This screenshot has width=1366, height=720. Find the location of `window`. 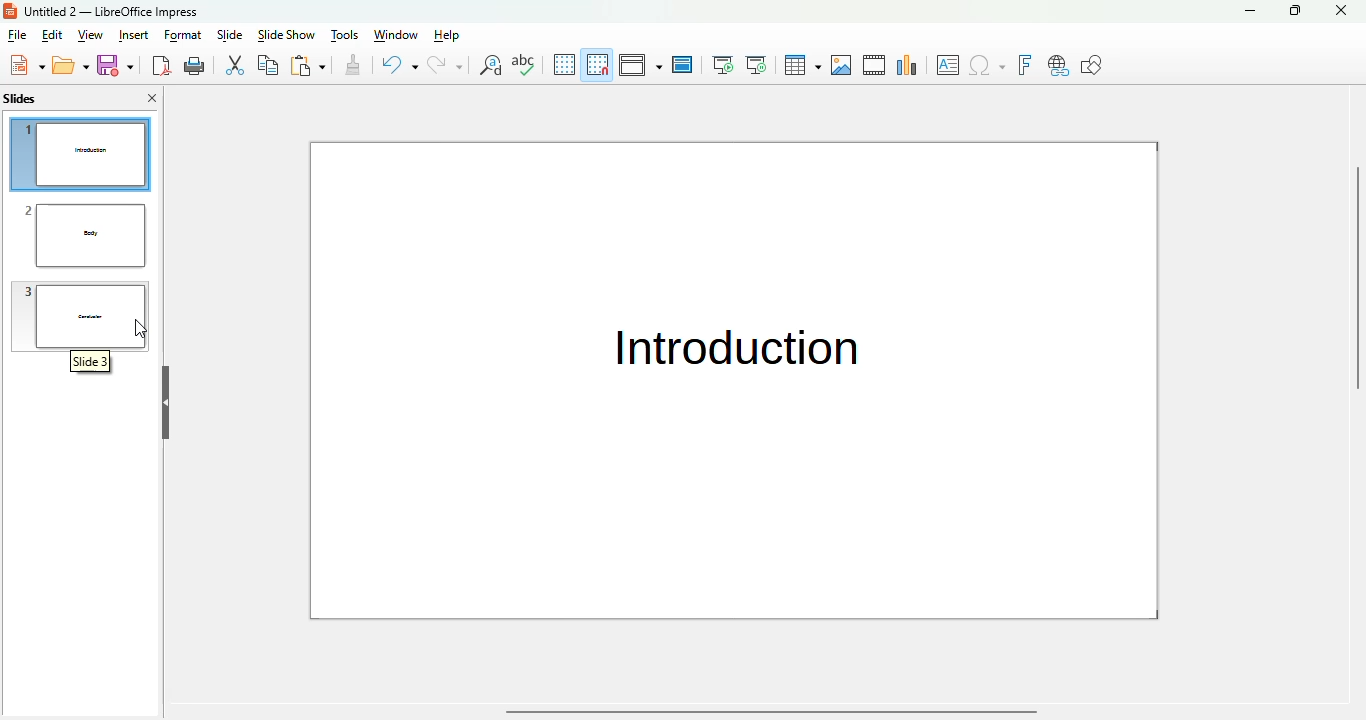

window is located at coordinates (396, 35).